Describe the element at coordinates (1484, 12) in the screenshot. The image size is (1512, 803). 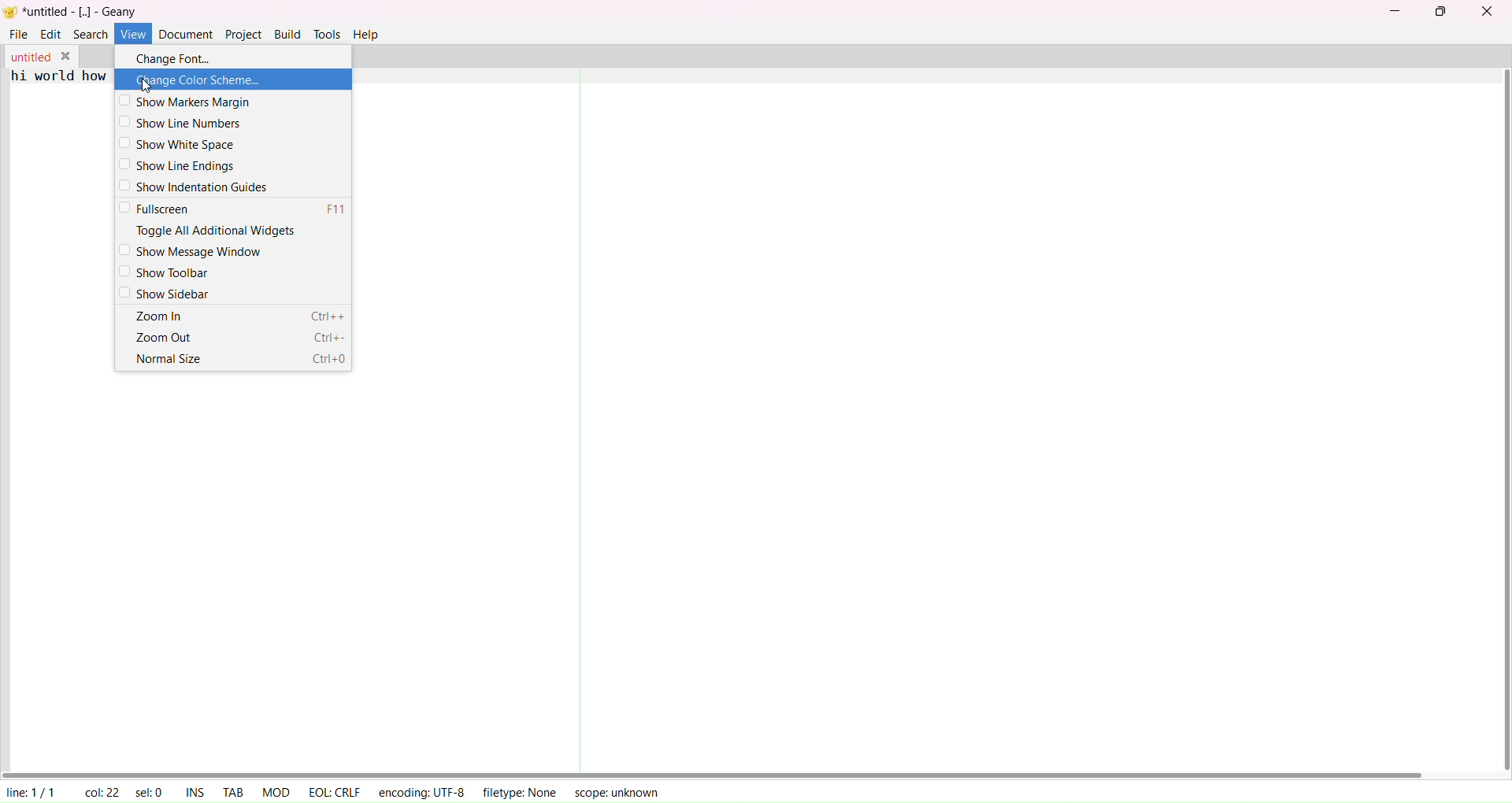
I see `close` at that location.